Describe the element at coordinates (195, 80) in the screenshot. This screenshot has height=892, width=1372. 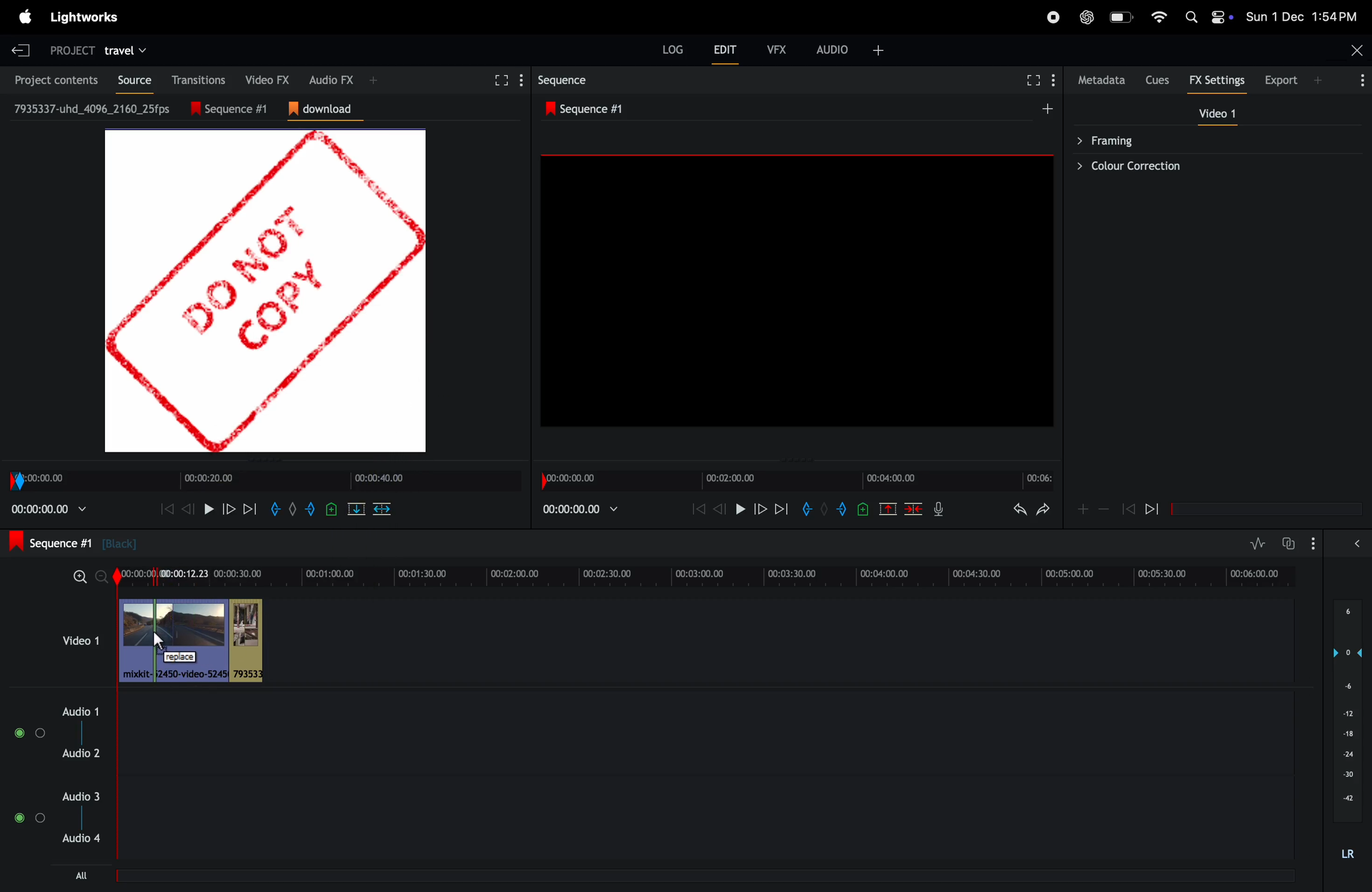
I see `transitions` at that location.